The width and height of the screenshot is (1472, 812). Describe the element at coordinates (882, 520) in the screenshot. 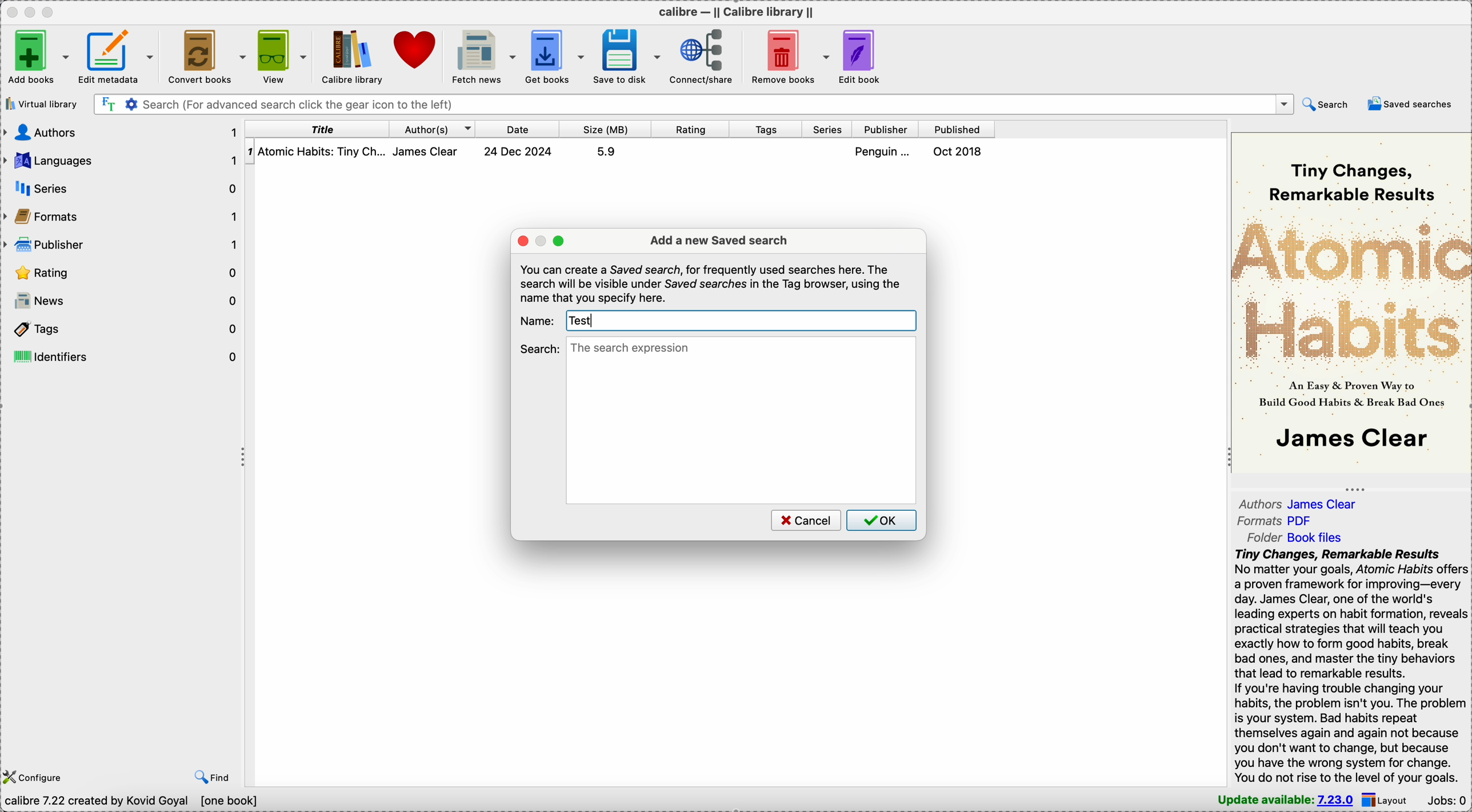

I see `OK` at that location.